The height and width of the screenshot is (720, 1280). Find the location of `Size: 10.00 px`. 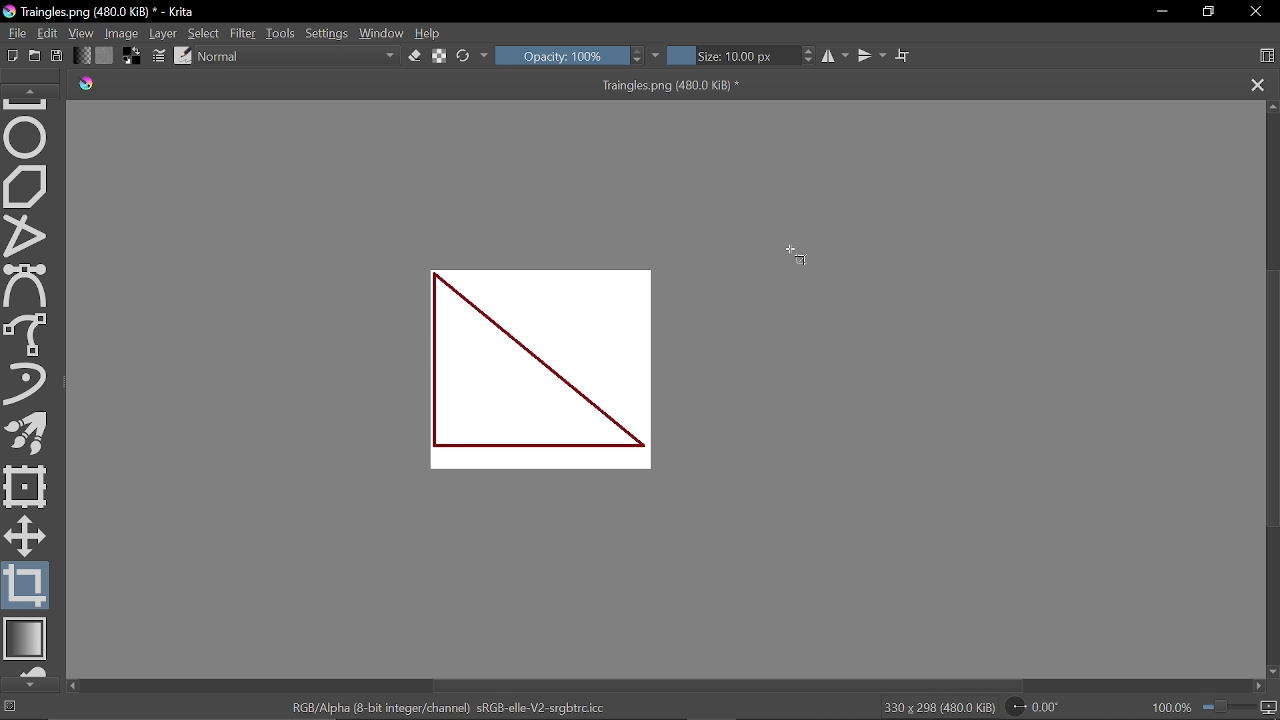

Size: 10.00 px is located at coordinates (734, 56).